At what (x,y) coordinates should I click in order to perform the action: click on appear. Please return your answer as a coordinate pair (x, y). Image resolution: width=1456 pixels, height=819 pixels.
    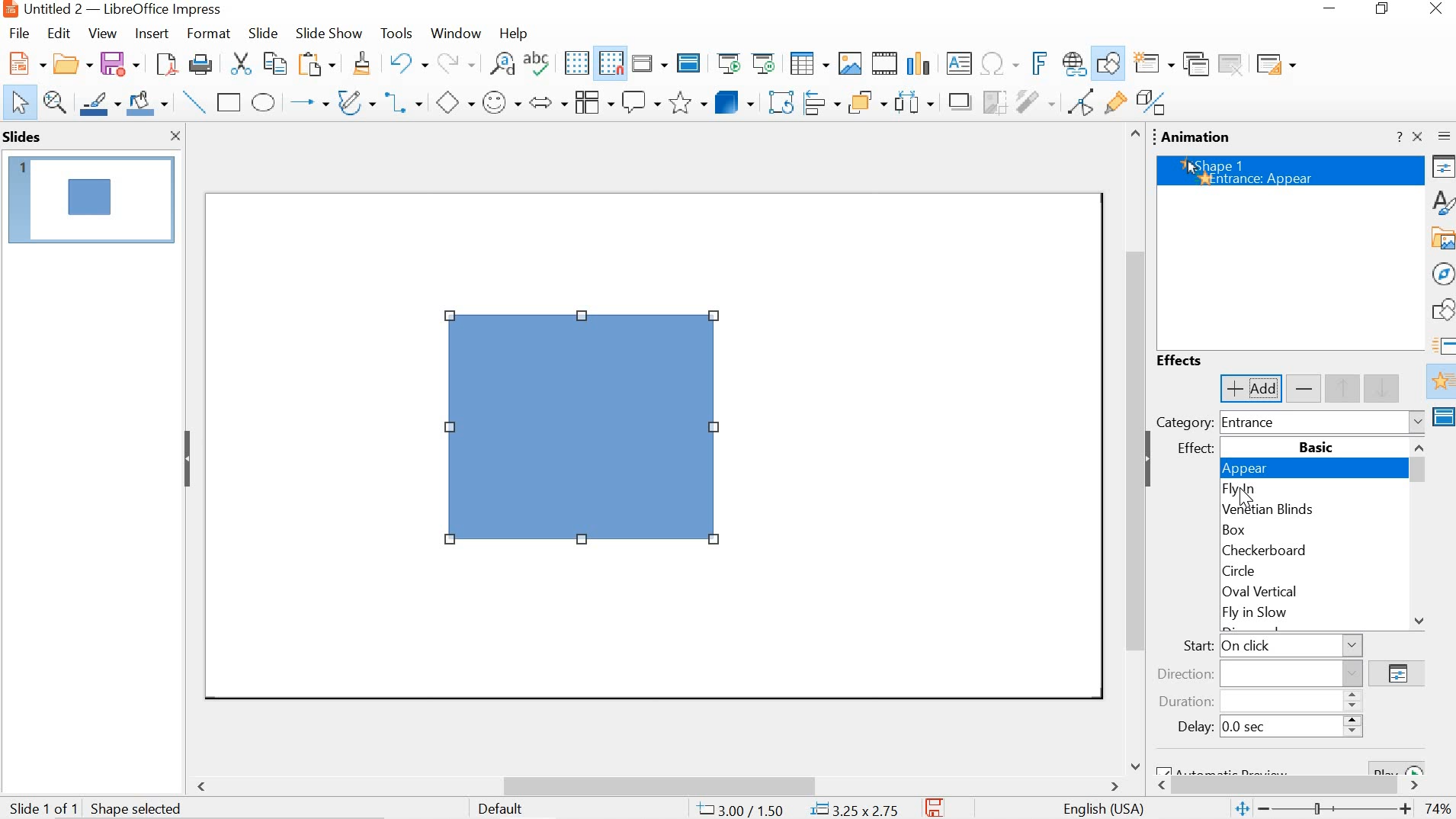
    Looking at the image, I should click on (1312, 470).